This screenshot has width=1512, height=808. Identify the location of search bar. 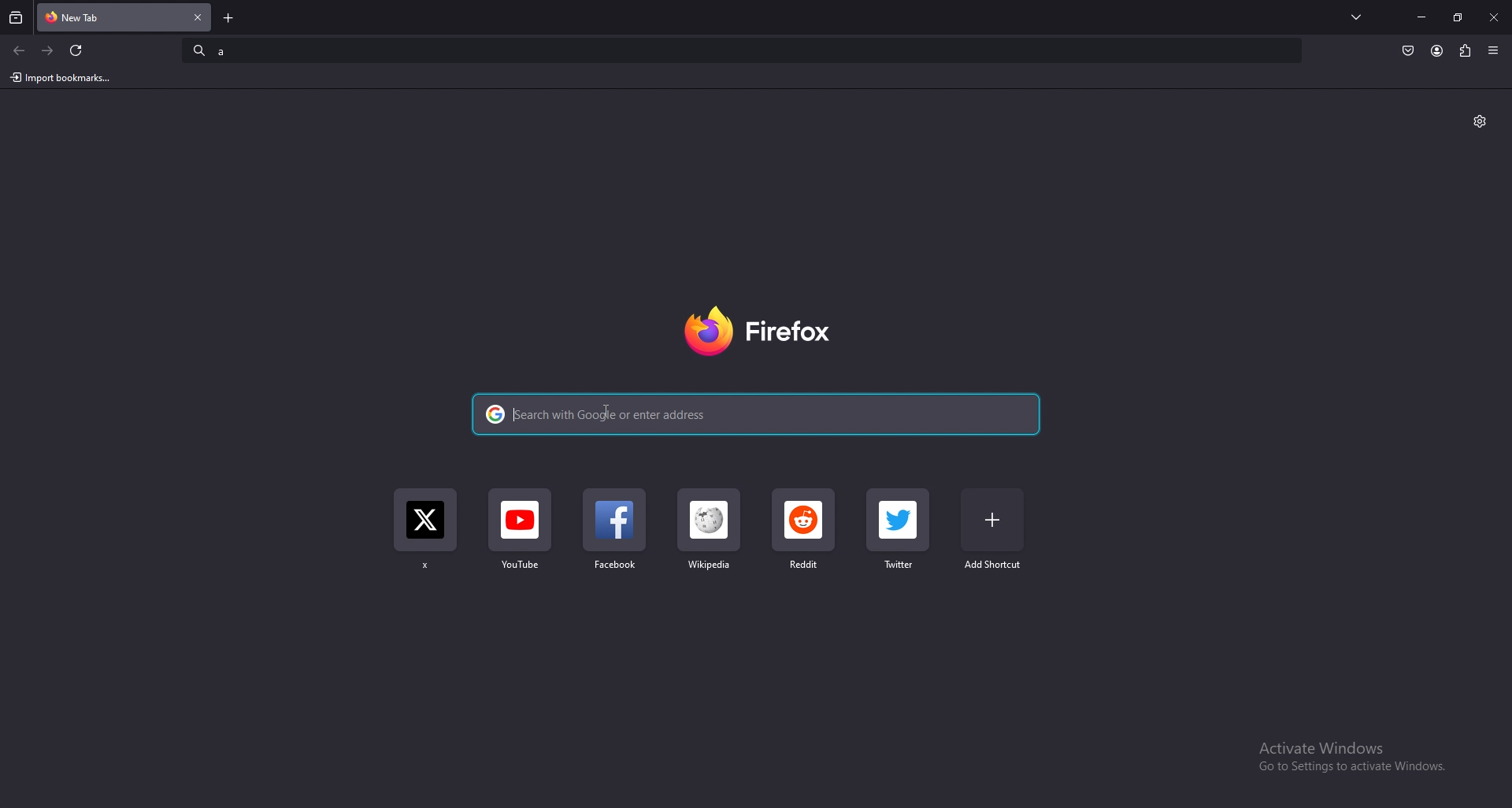
(743, 49).